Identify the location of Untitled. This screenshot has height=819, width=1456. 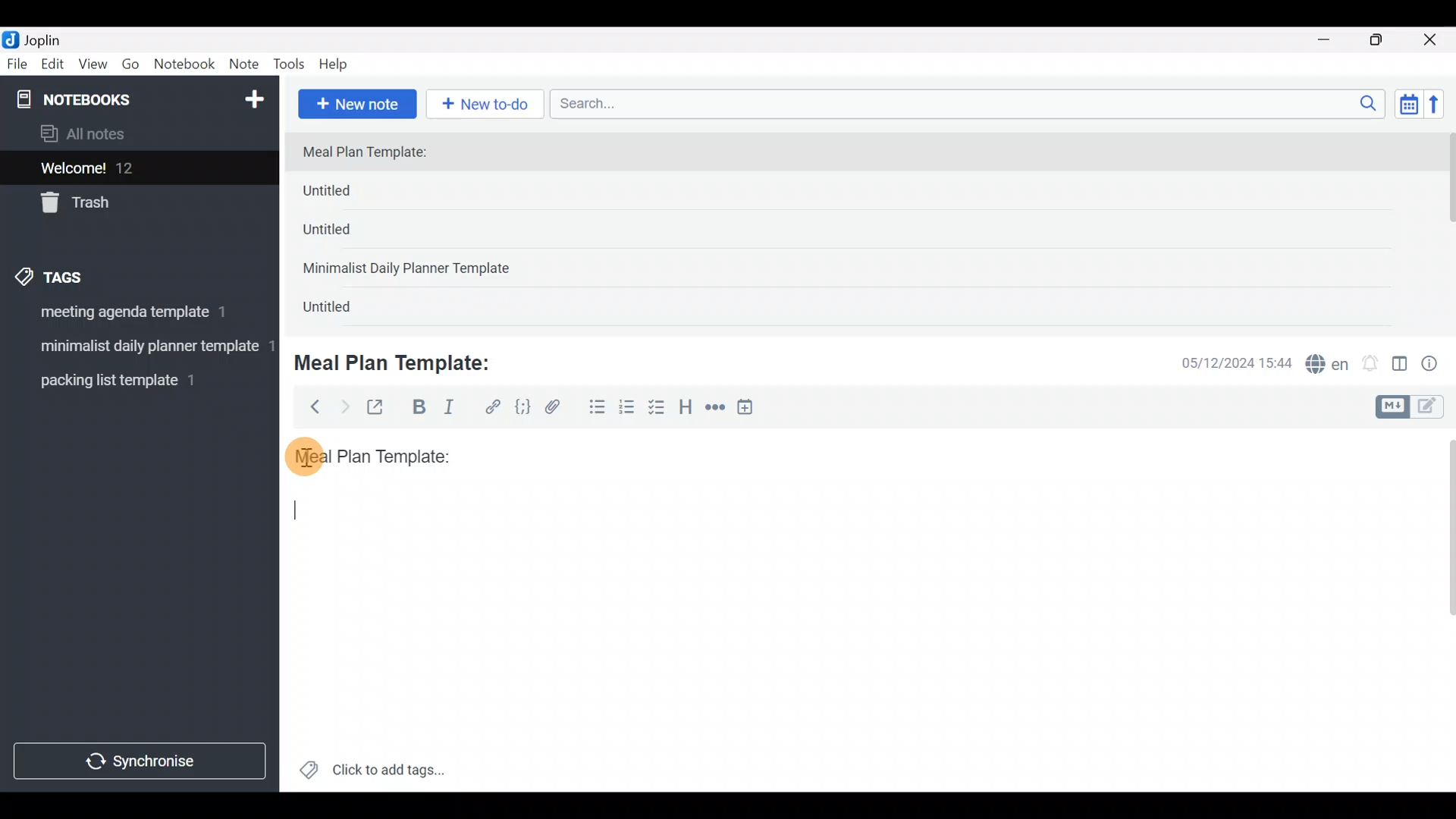
(352, 194).